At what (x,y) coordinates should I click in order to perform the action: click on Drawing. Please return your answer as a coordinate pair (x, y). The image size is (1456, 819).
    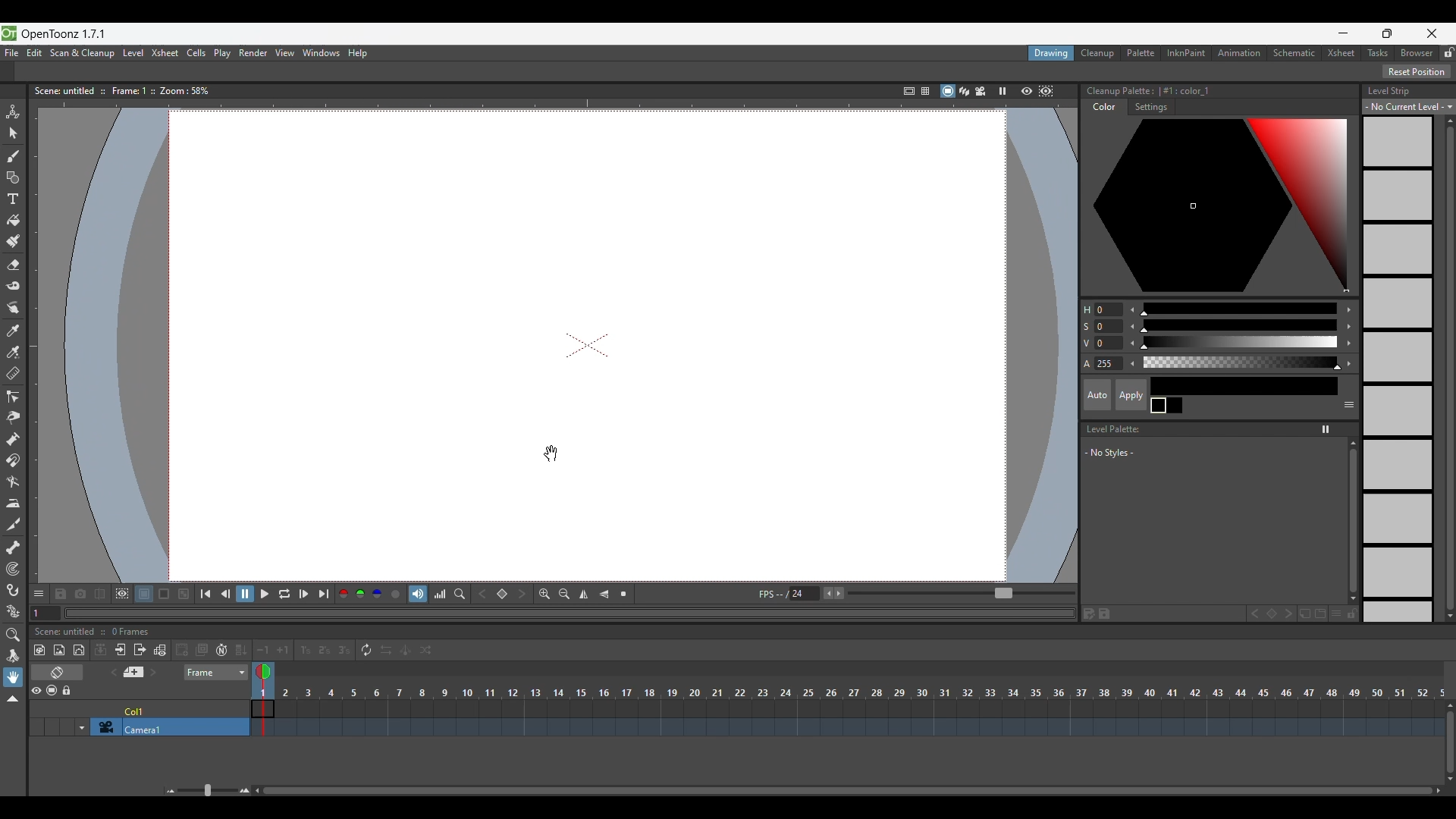
    Looking at the image, I should click on (1051, 53).